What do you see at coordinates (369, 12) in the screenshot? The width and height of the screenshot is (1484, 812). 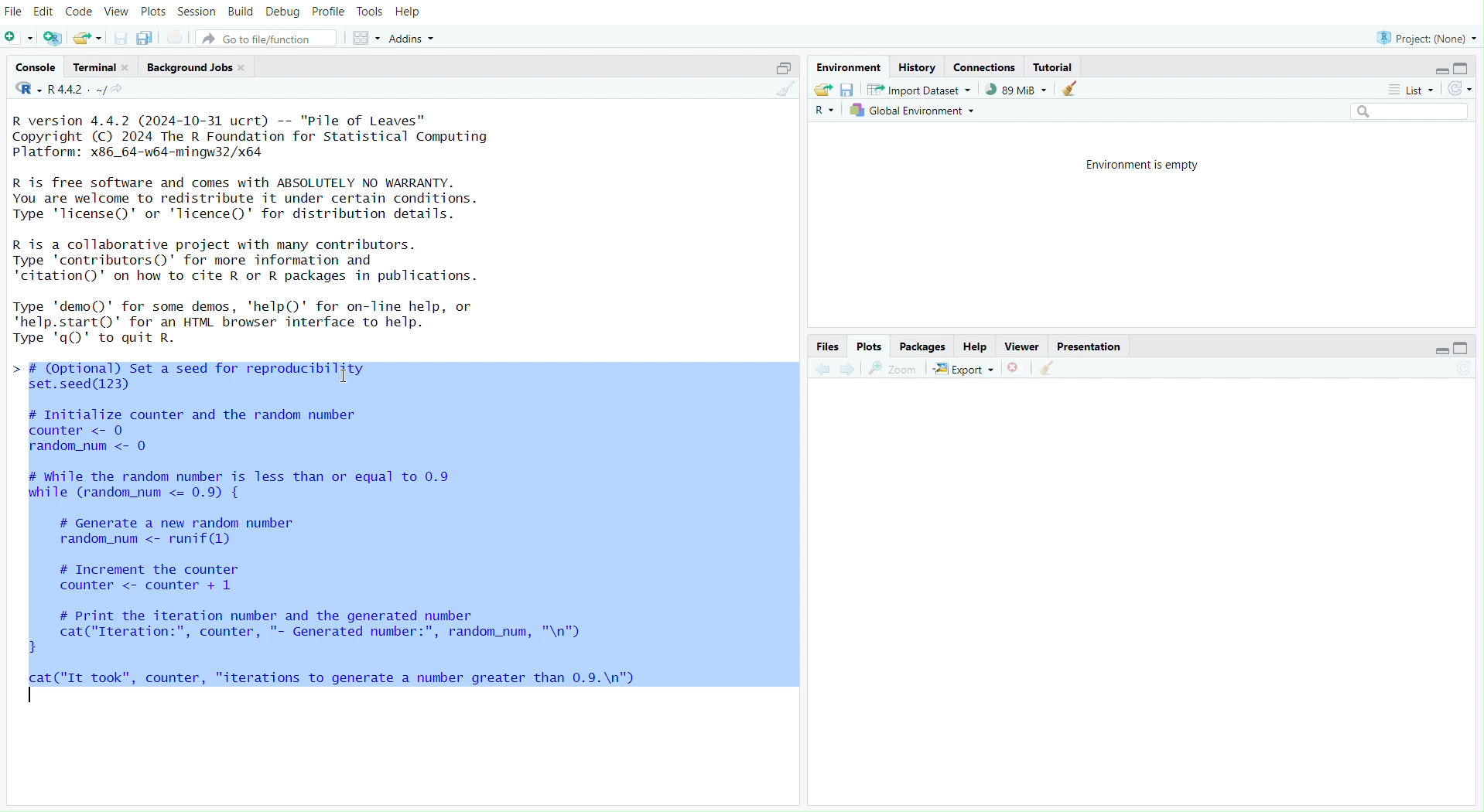 I see `Tools` at bounding box center [369, 12].